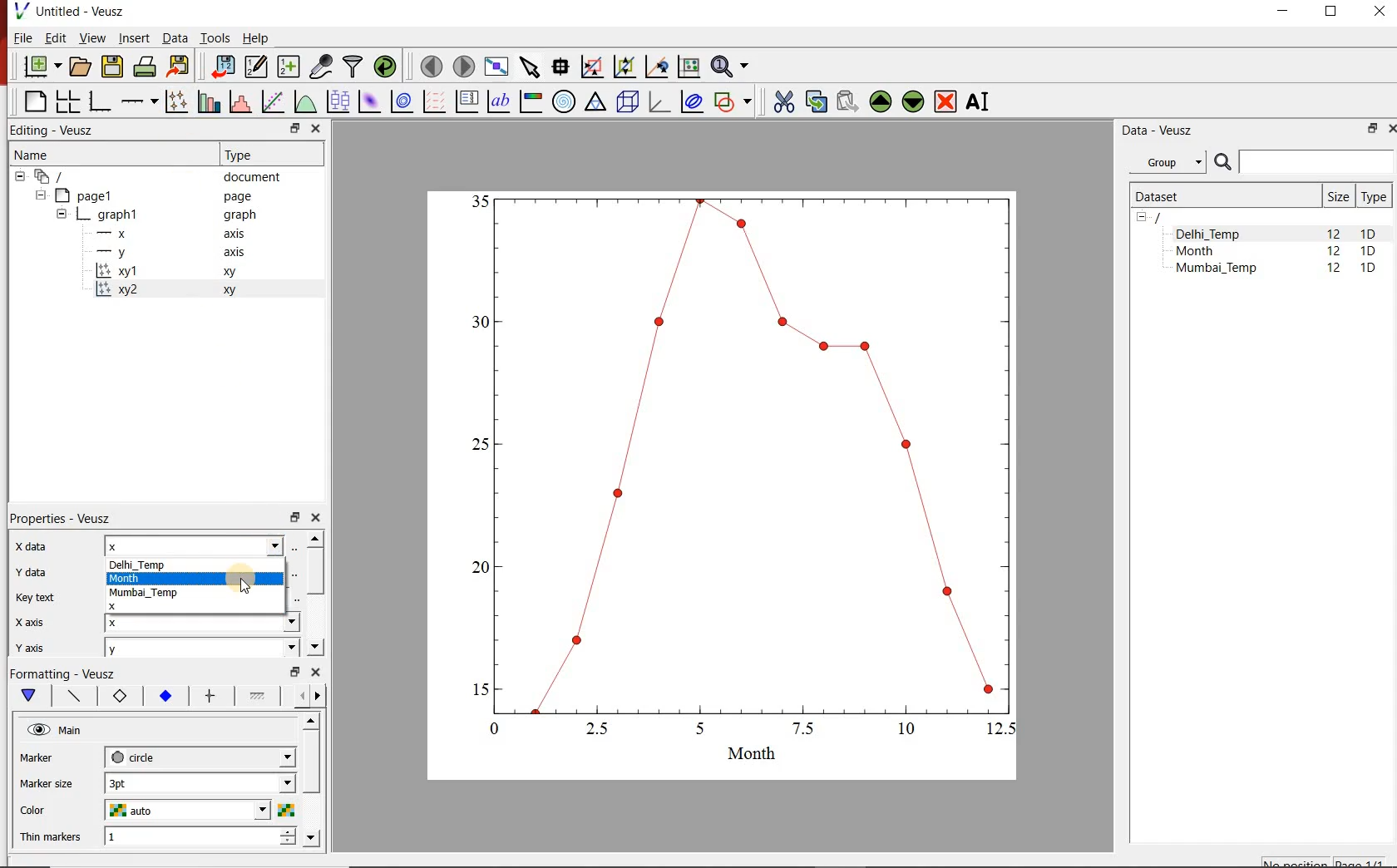 This screenshot has height=868, width=1397. I want to click on SEARCH DATASETS, so click(1303, 163).